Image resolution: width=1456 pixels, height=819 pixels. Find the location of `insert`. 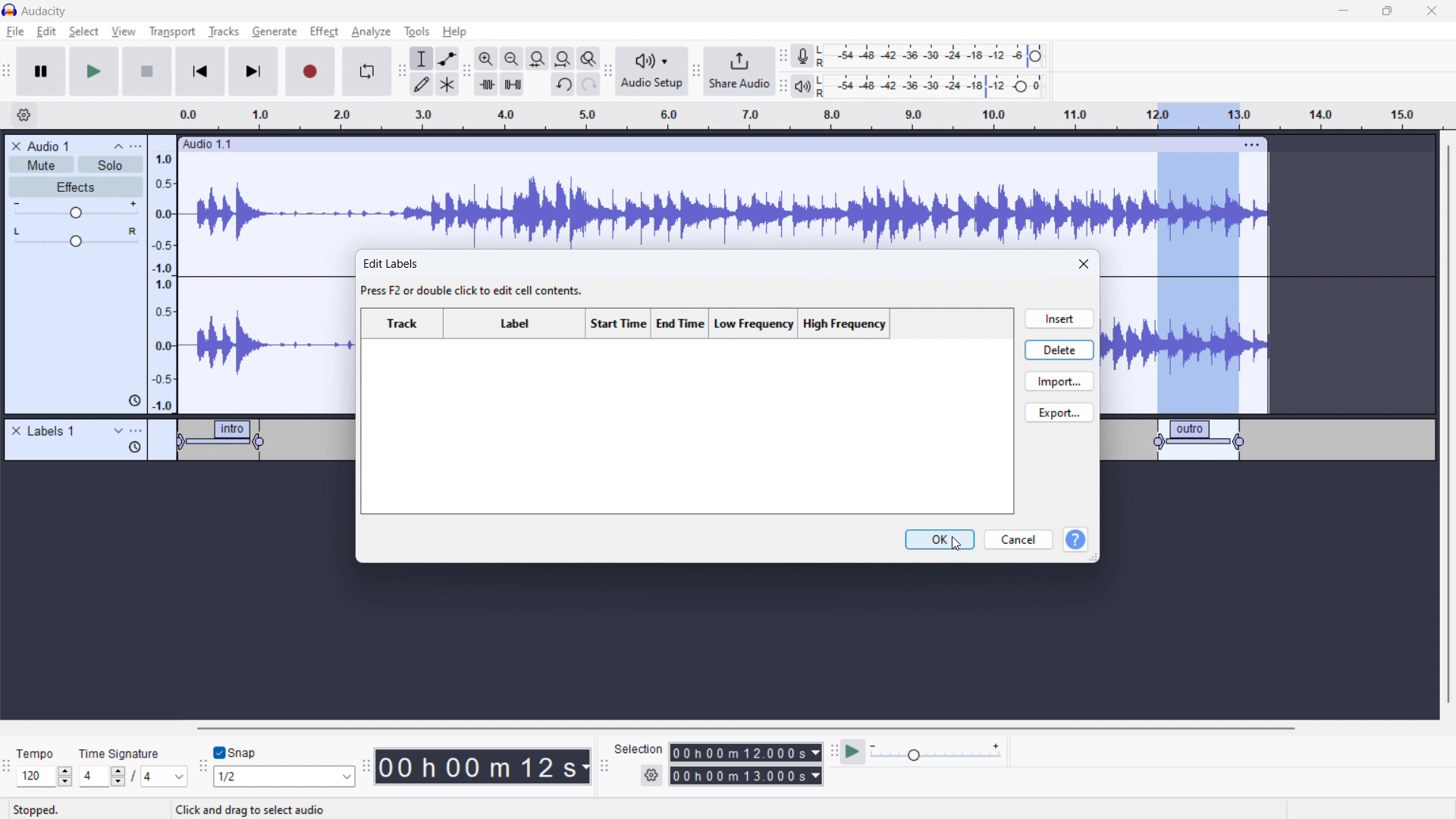

insert is located at coordinates (1058, 318).